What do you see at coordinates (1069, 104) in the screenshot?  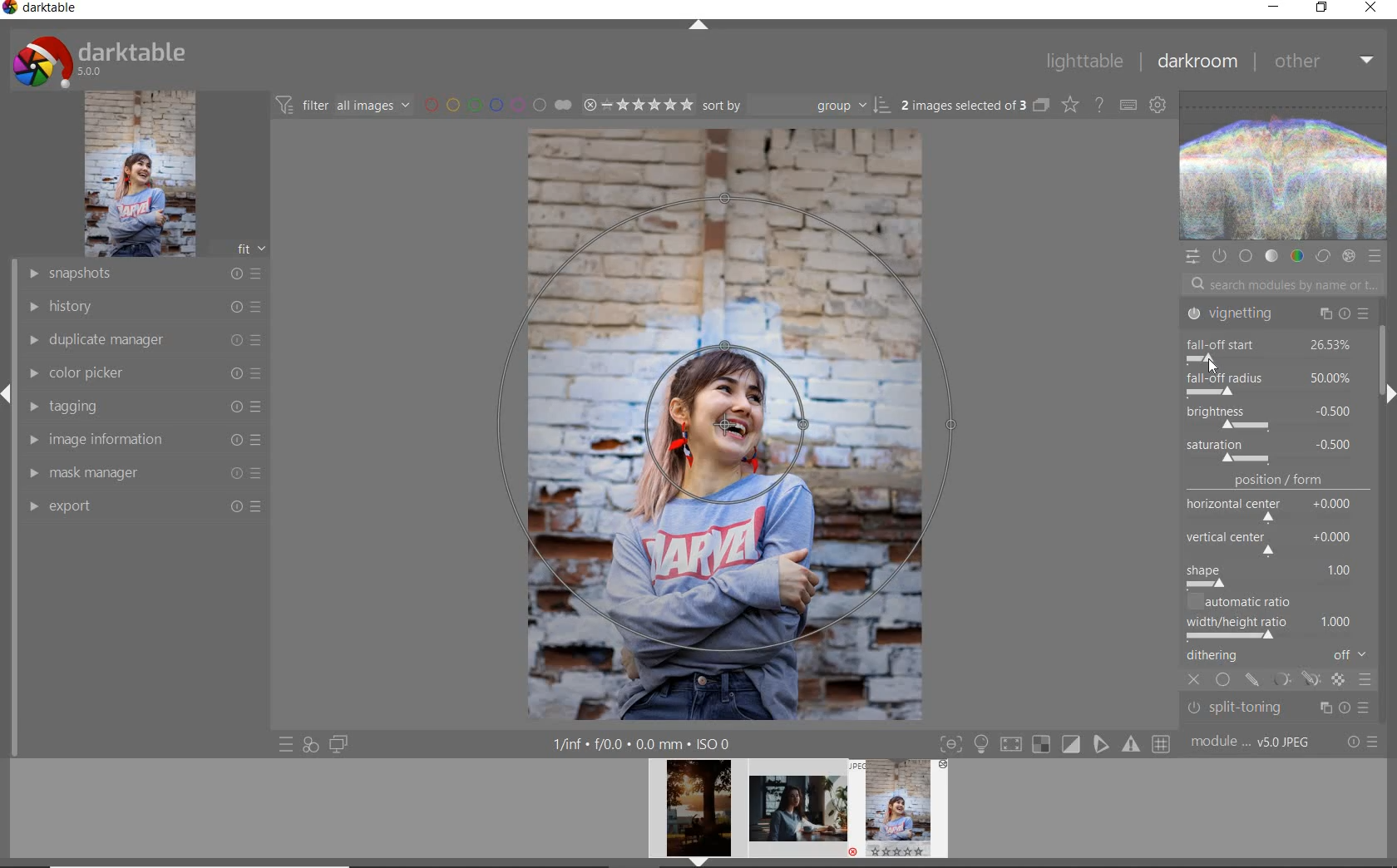 I see `CHANGE TYPE OF OVERLAYS` at bounding box center [1069, 104].